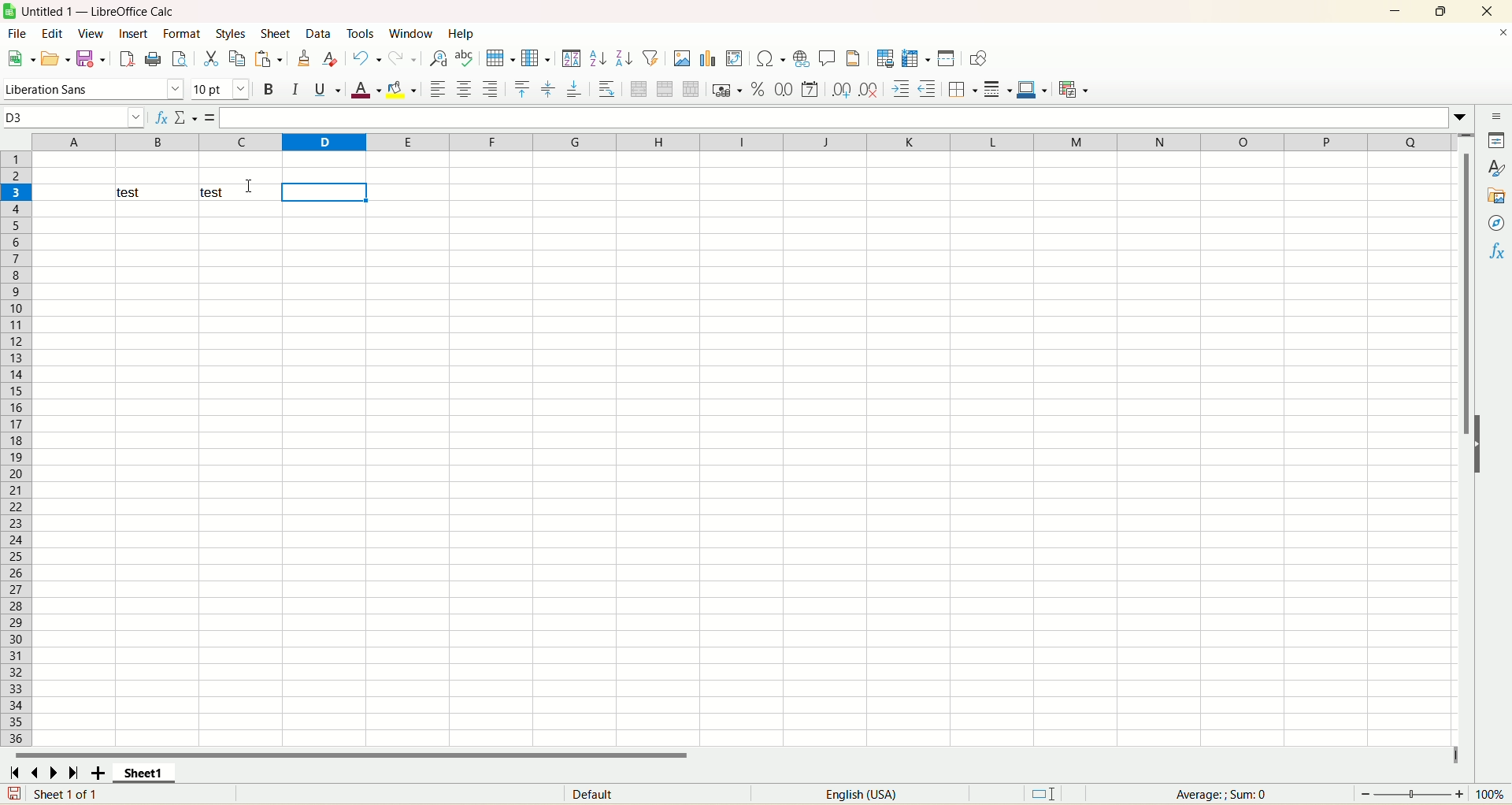  Describe the element at coordinates (860, 794) in the screenshot. I see `English (USA)` at that location.